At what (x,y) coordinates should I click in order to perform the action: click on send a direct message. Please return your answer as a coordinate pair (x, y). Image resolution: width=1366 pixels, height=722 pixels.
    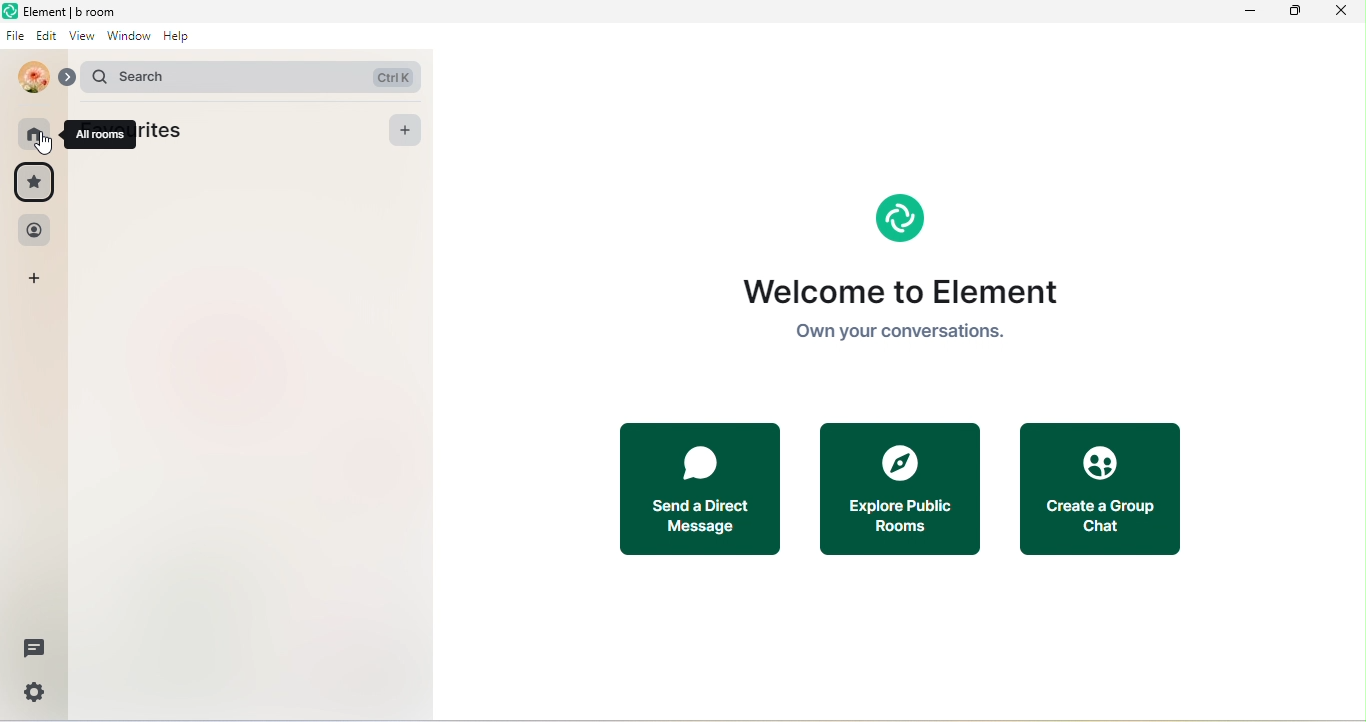
    Looking at the image, I should click on (703, 491).